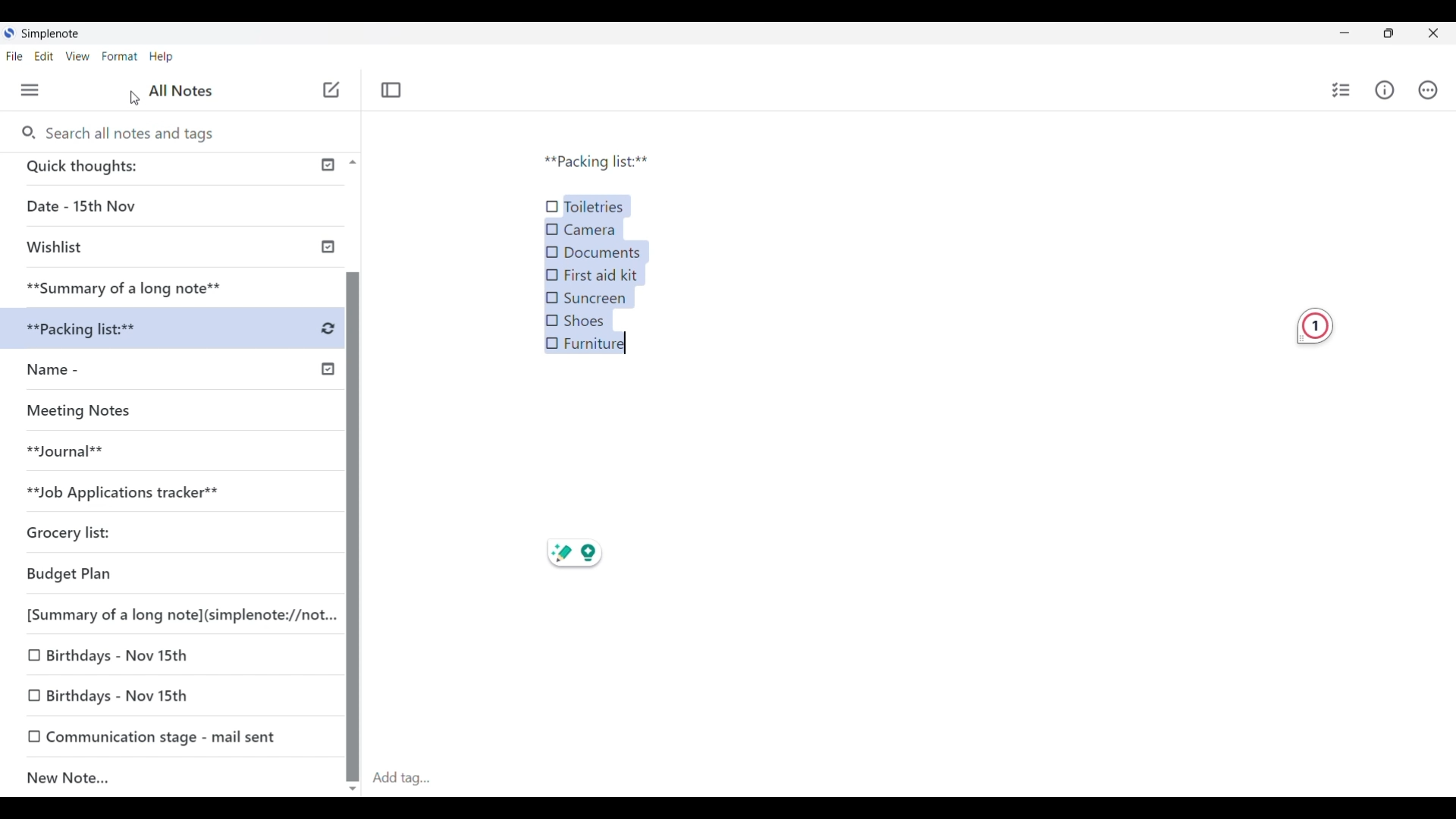  I want to click on Help, so click(174, 58).